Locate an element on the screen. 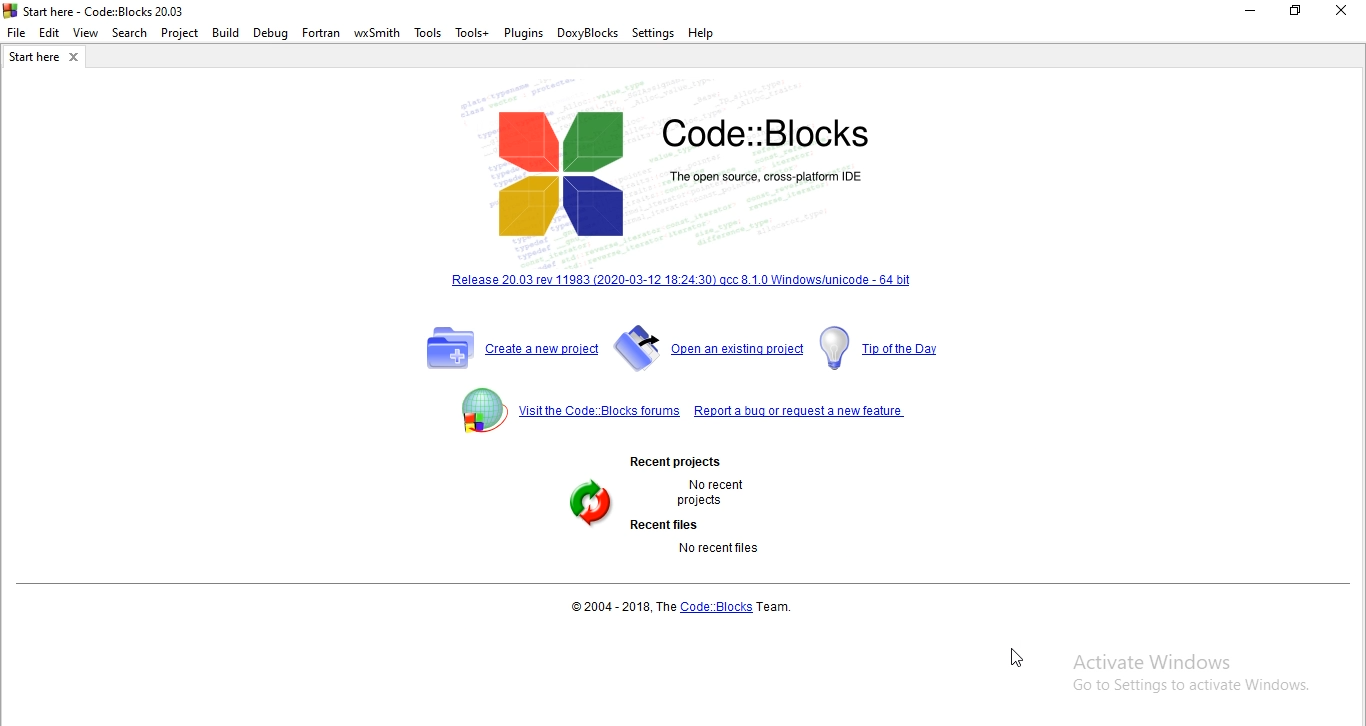  View is located at coordinates (87, 34).